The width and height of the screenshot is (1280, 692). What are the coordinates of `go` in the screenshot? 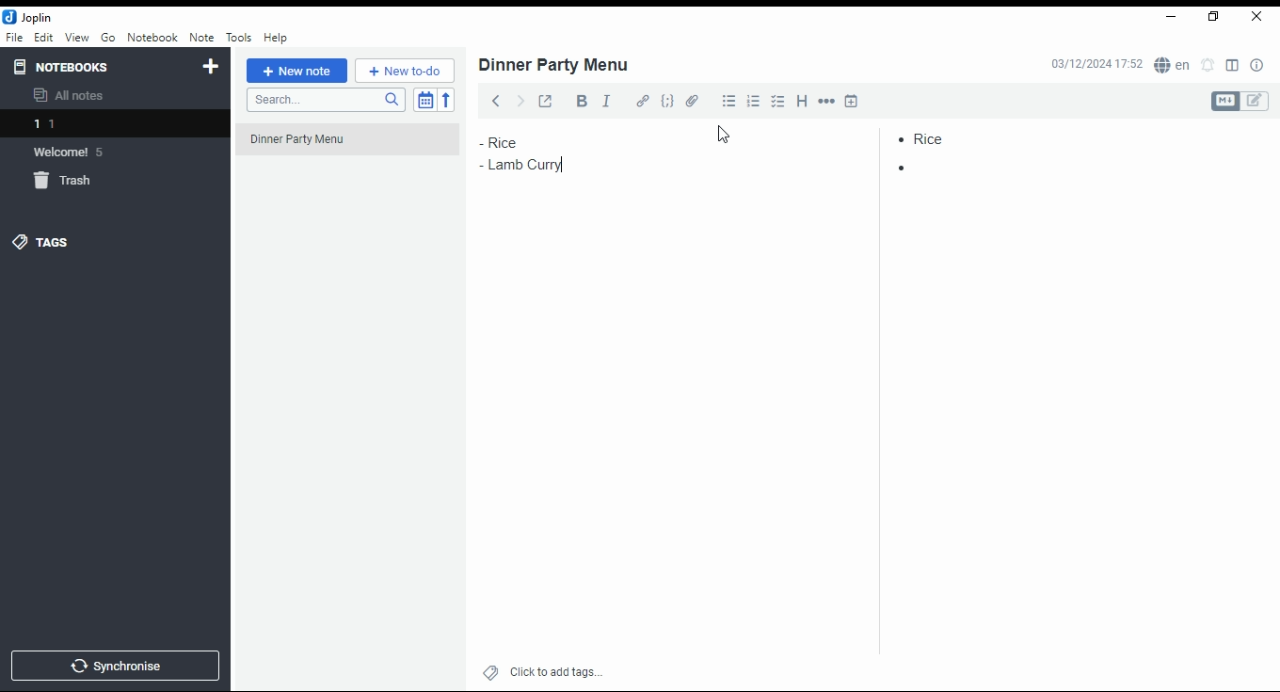 It's located at (108, 38).